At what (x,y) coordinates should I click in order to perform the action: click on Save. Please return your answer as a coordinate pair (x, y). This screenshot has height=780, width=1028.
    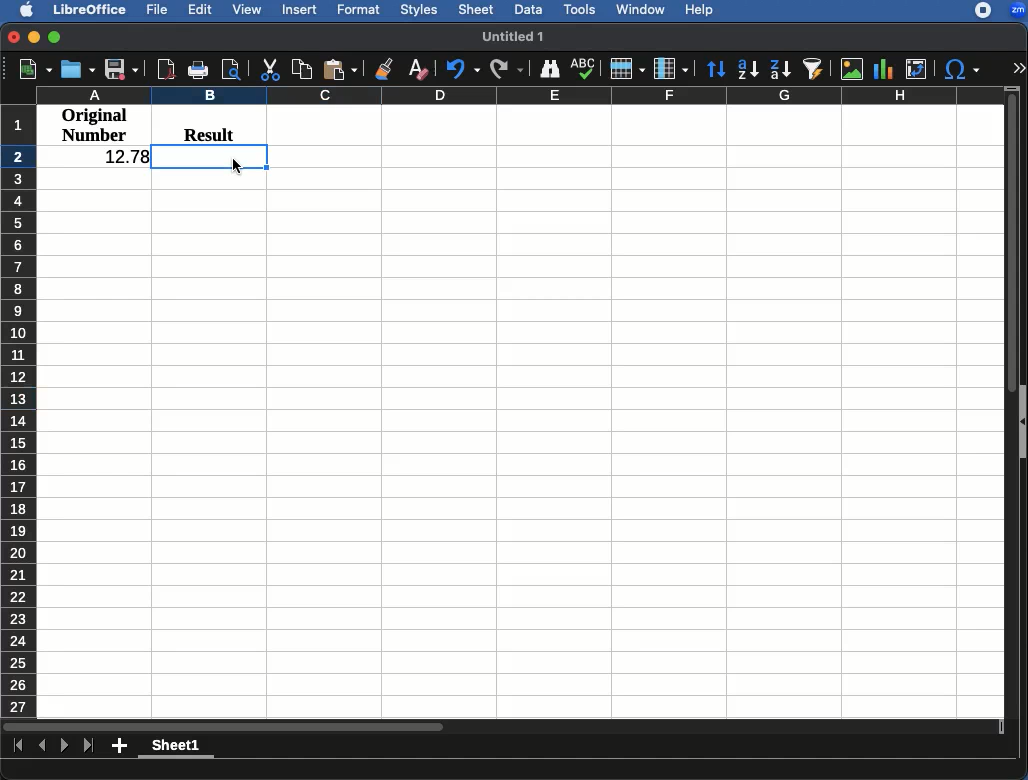
    Looking at the image, I should click on (122, 70).